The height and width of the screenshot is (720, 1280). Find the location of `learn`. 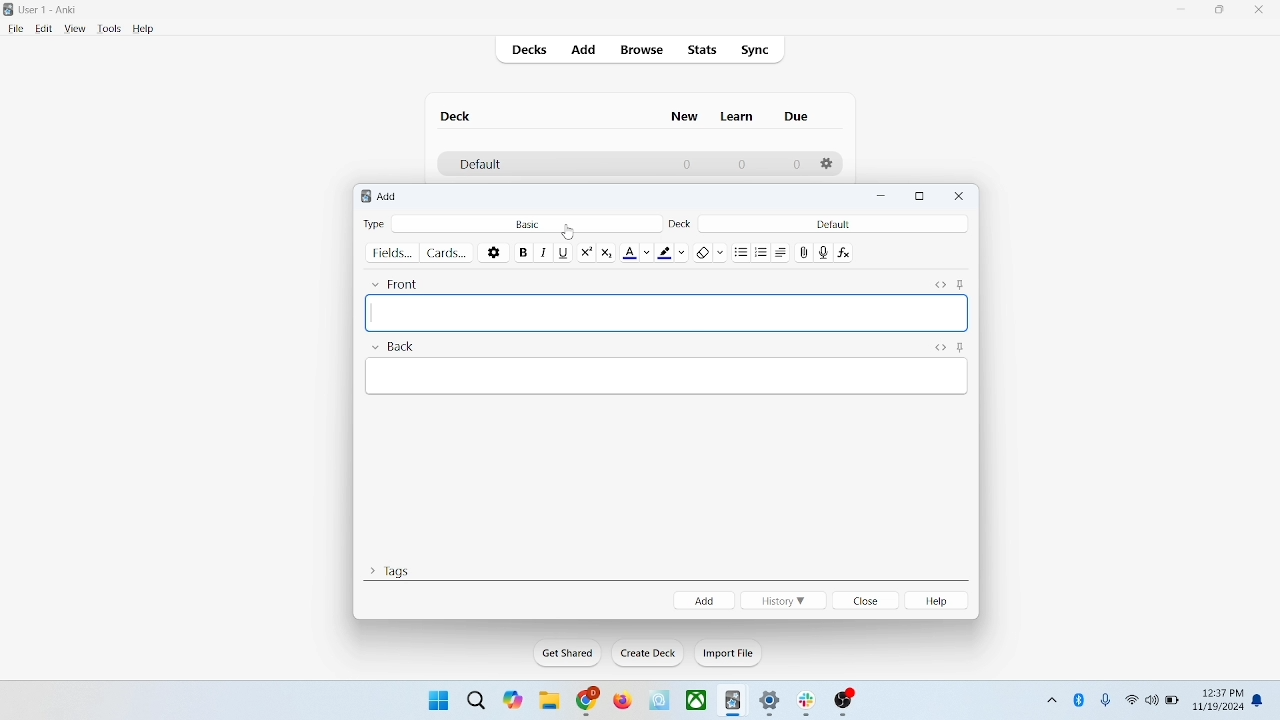

learn is located at coordinates (736, 116).